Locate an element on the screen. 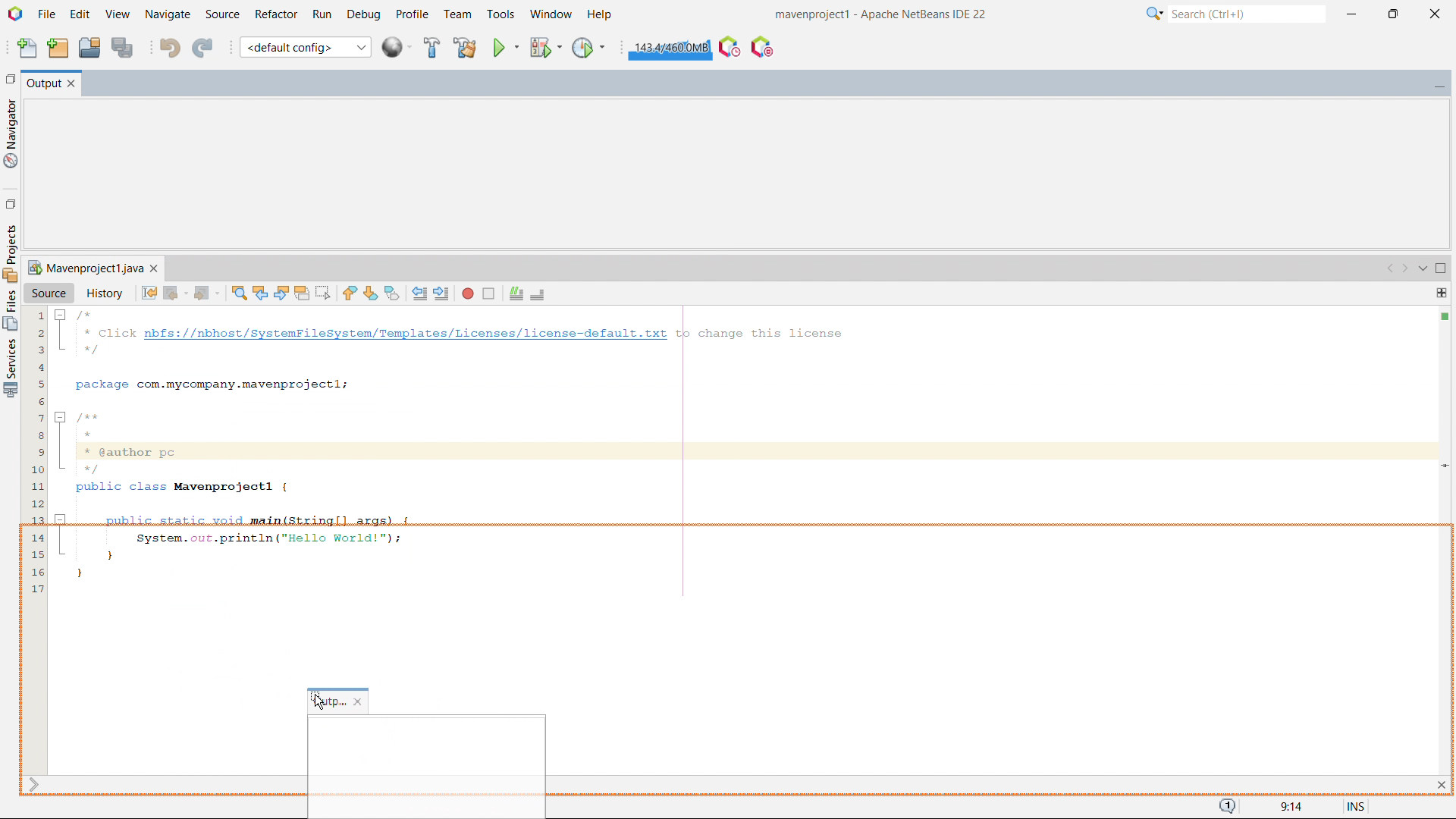  close is located at coordinates (1436, 14).